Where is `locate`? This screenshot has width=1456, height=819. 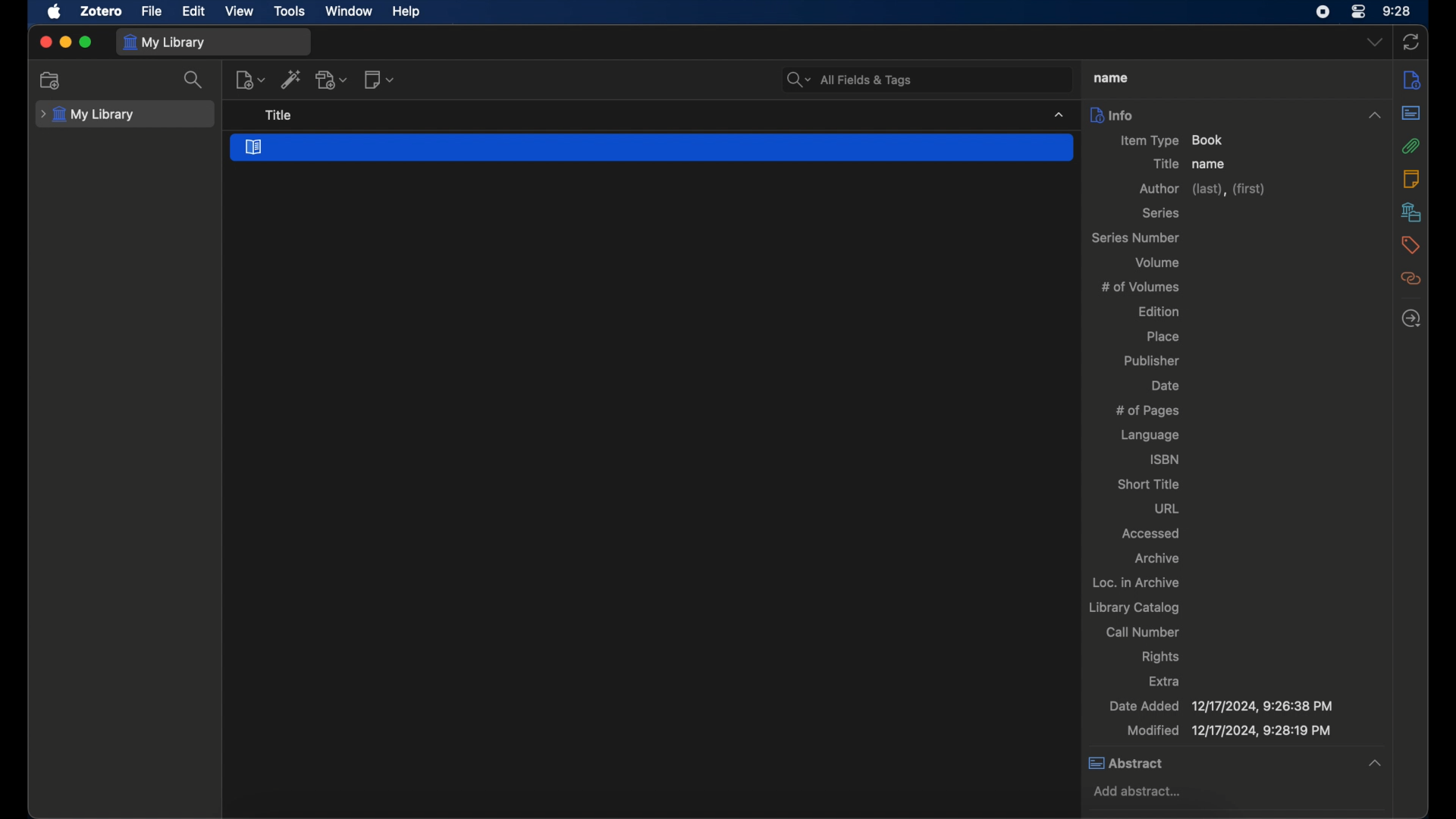
locate is located at coordinates (1411, 318).